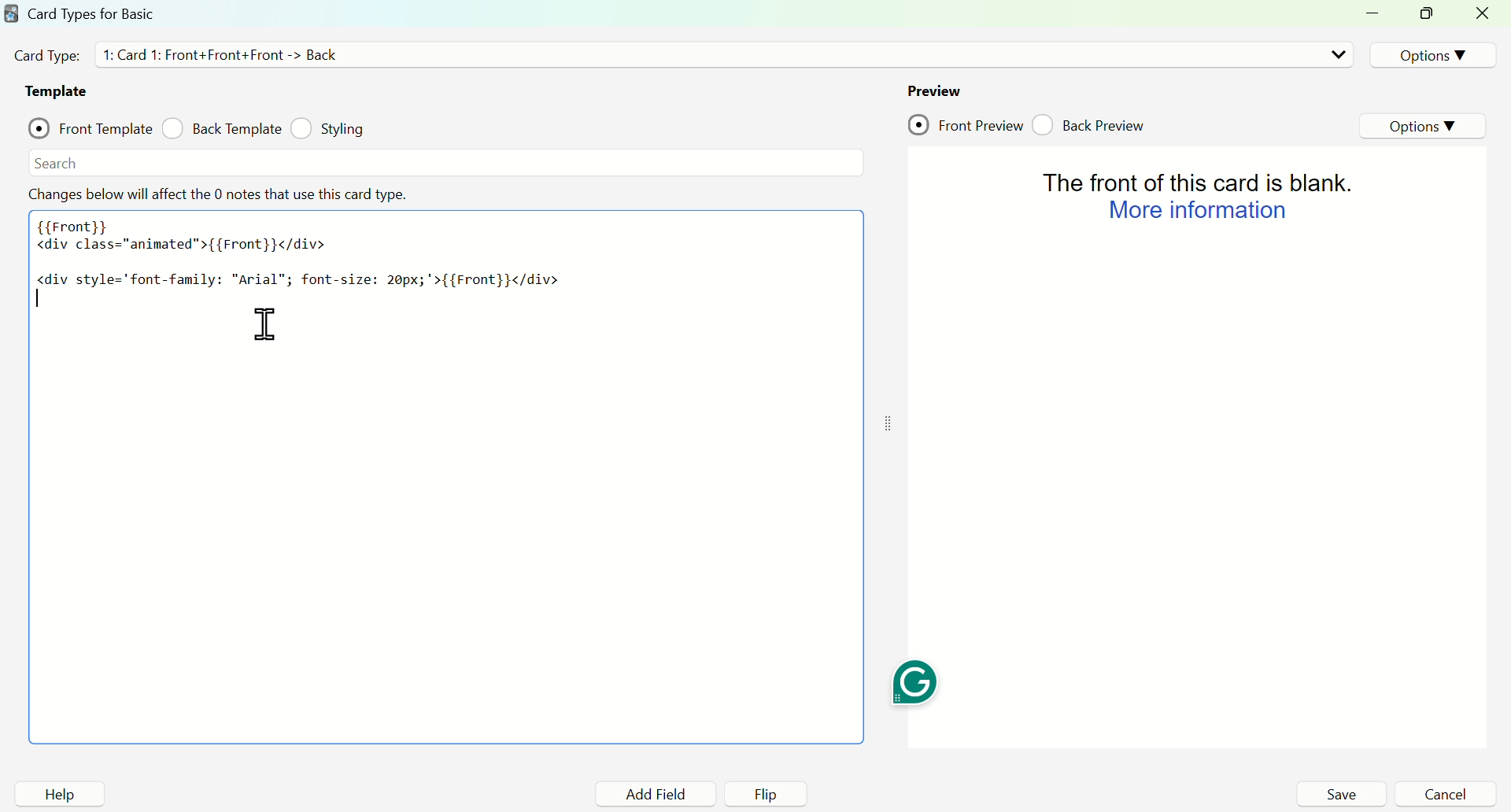 This screenshot has height=812, width=1511. I want to click on help, so click(60, 794).